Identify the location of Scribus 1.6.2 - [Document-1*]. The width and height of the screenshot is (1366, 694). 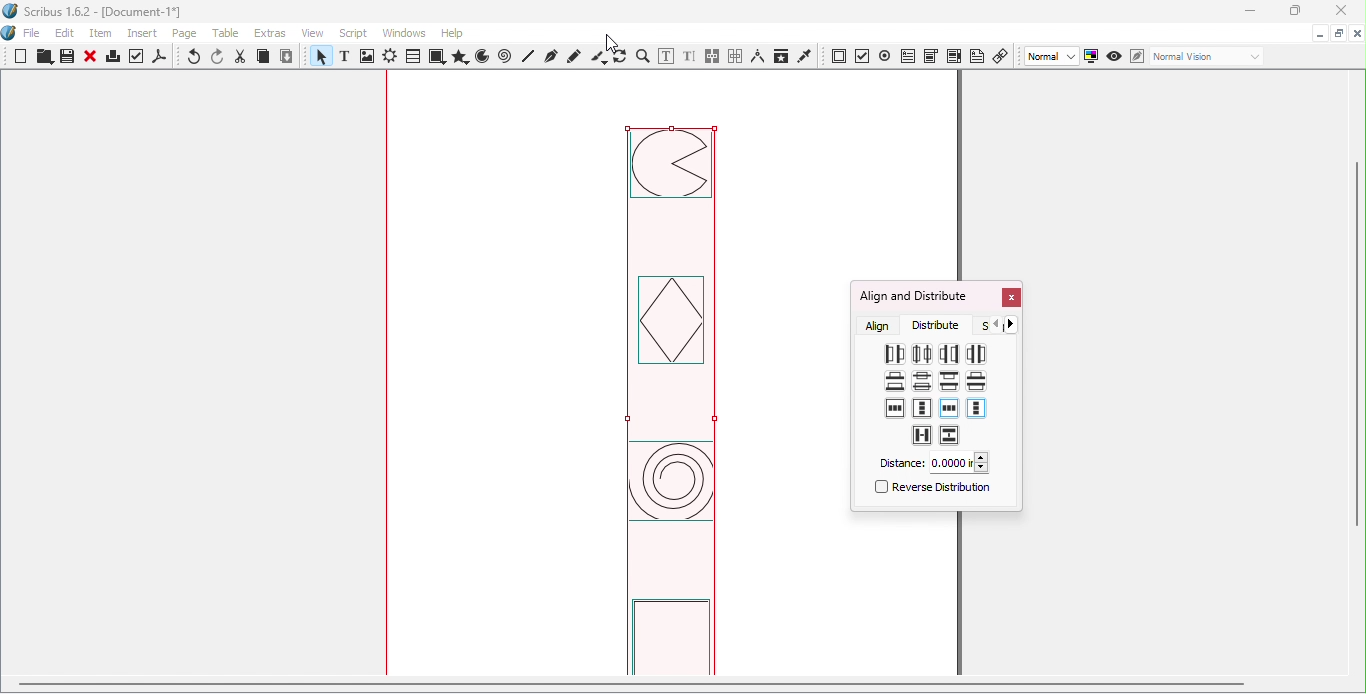
(101, 13).